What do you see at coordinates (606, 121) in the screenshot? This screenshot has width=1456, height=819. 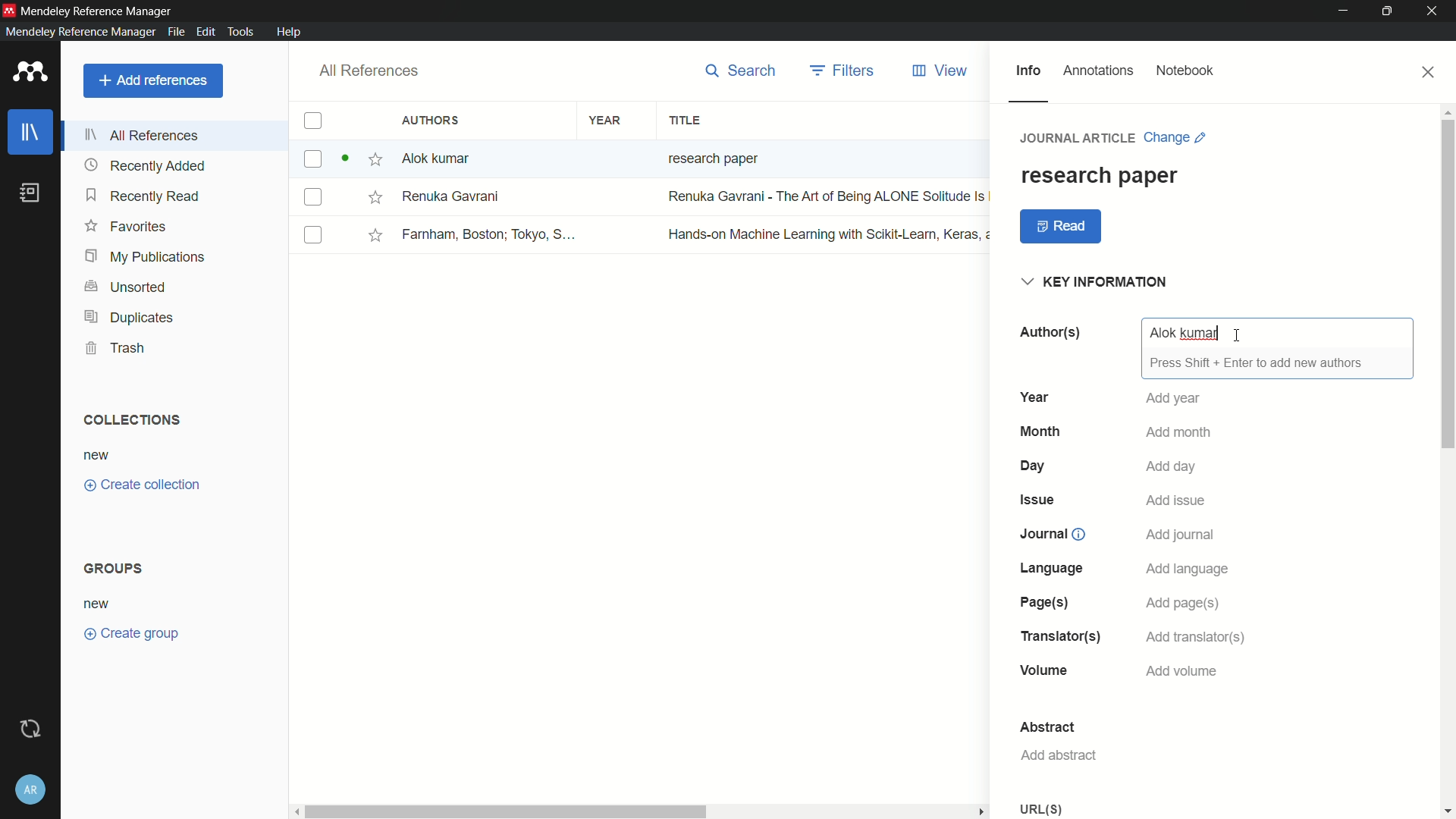 I see `year` at bounding box center [606, 121].